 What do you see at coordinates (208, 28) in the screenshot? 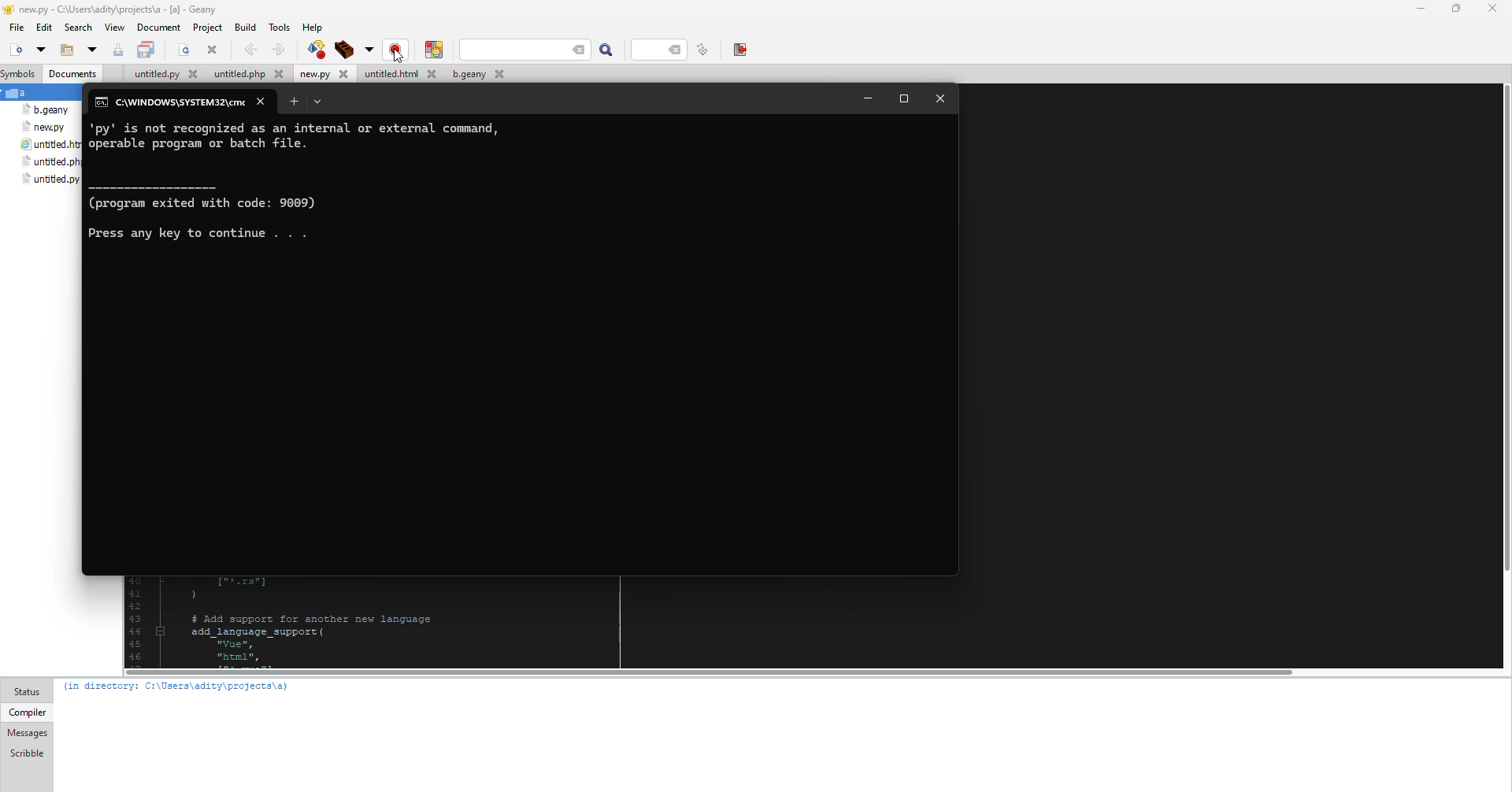
I see `project` at bounding box center [208, 28].